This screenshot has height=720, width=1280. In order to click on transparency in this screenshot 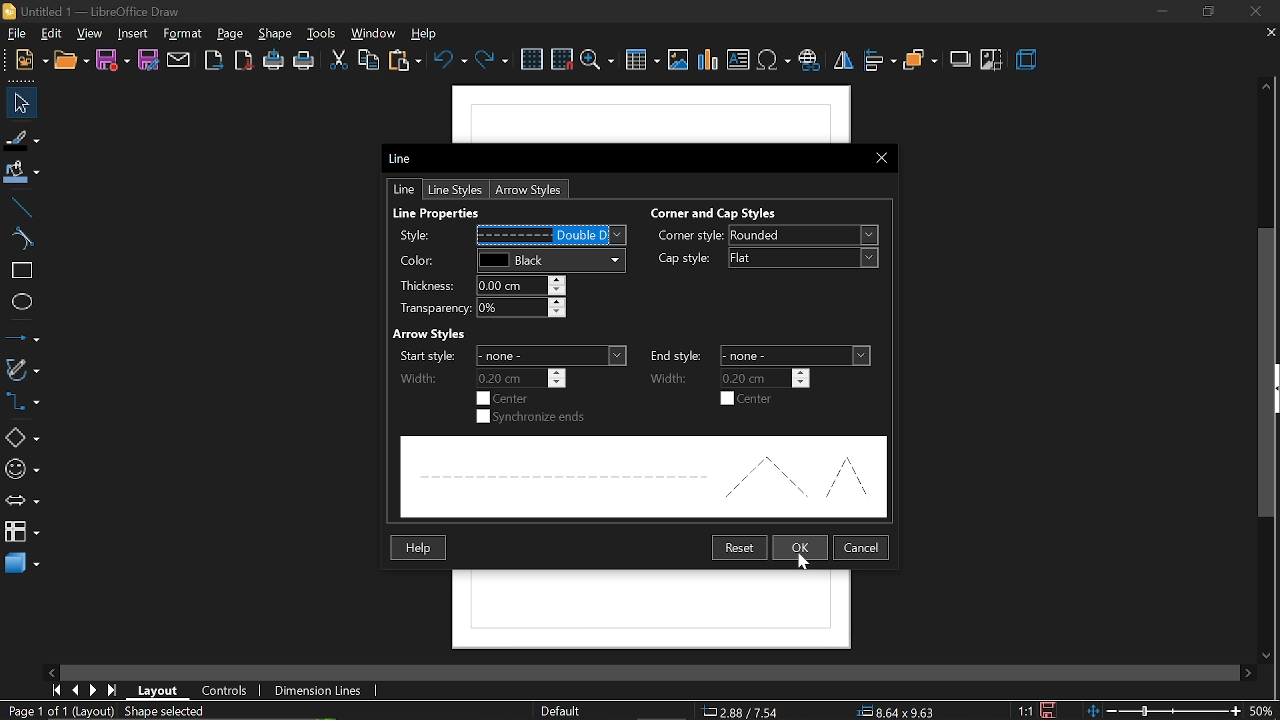, I will do `click(479, 308)`.